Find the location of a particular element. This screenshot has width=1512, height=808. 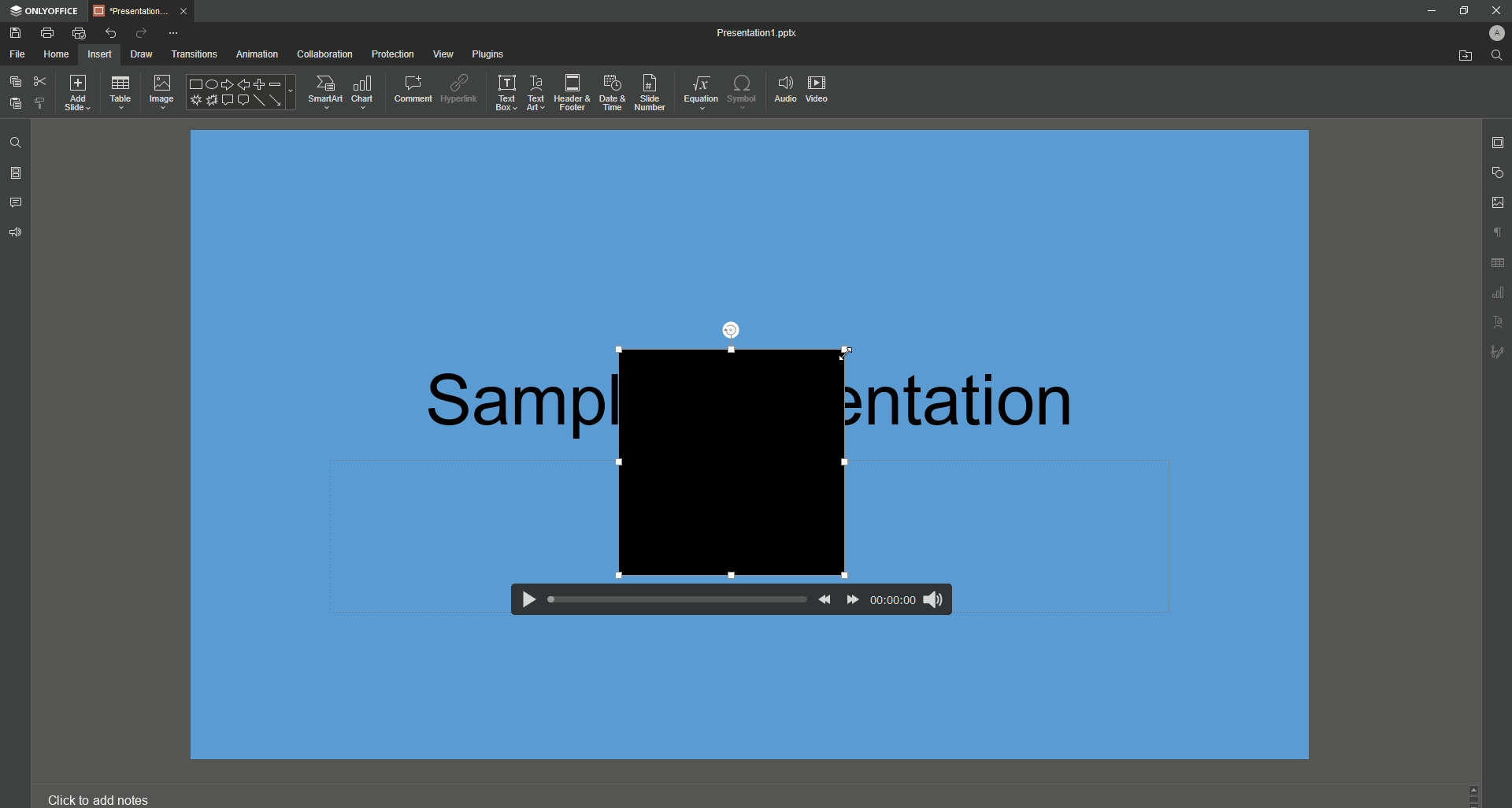

Copy is located at coordinates (14, 81).